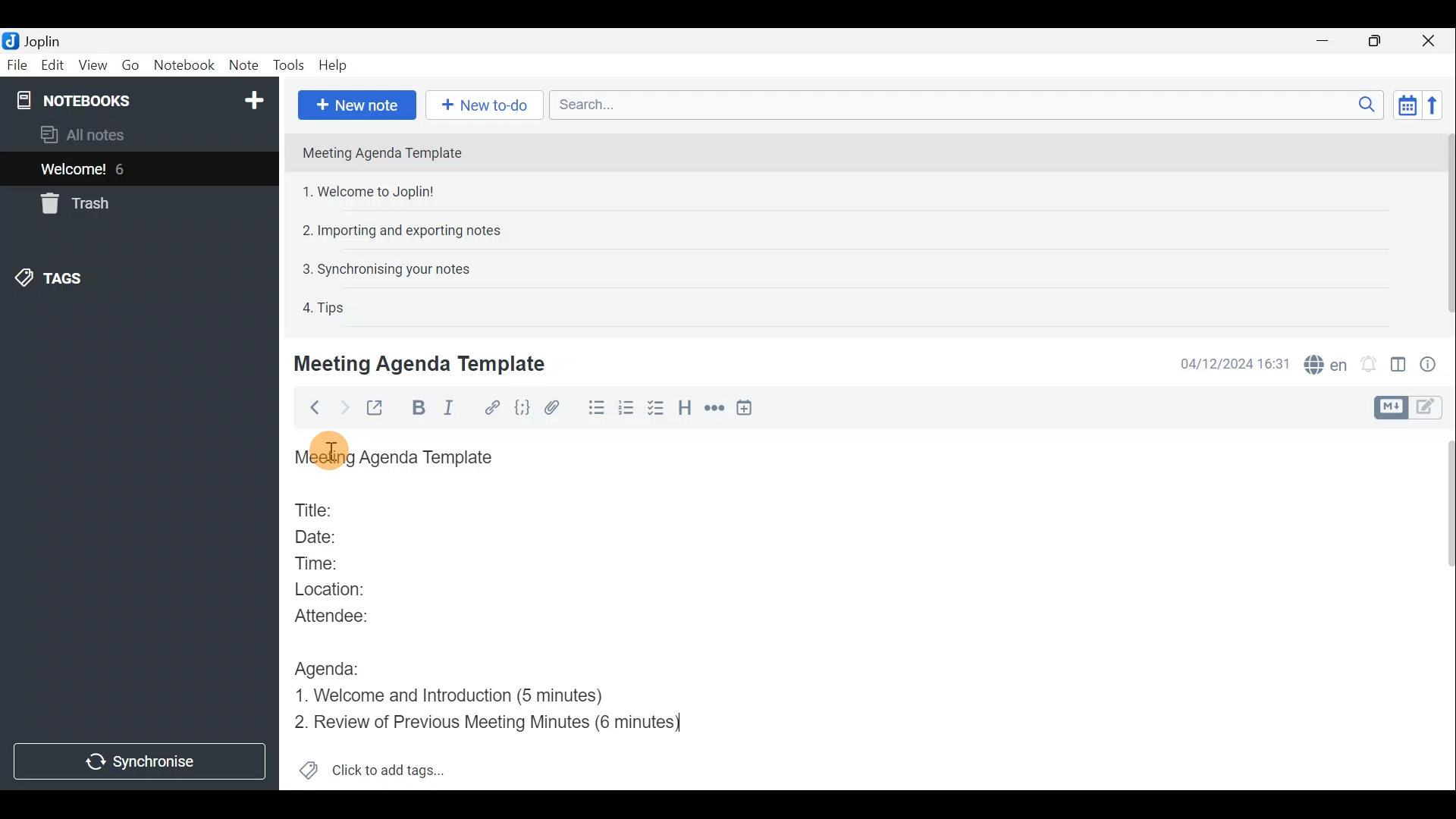 The width and height of the screenshot is (1456, 819). What do you see at coordinates (481, 104) in the screenshot?
I see `New to-do` at bounding box center [481, 104].